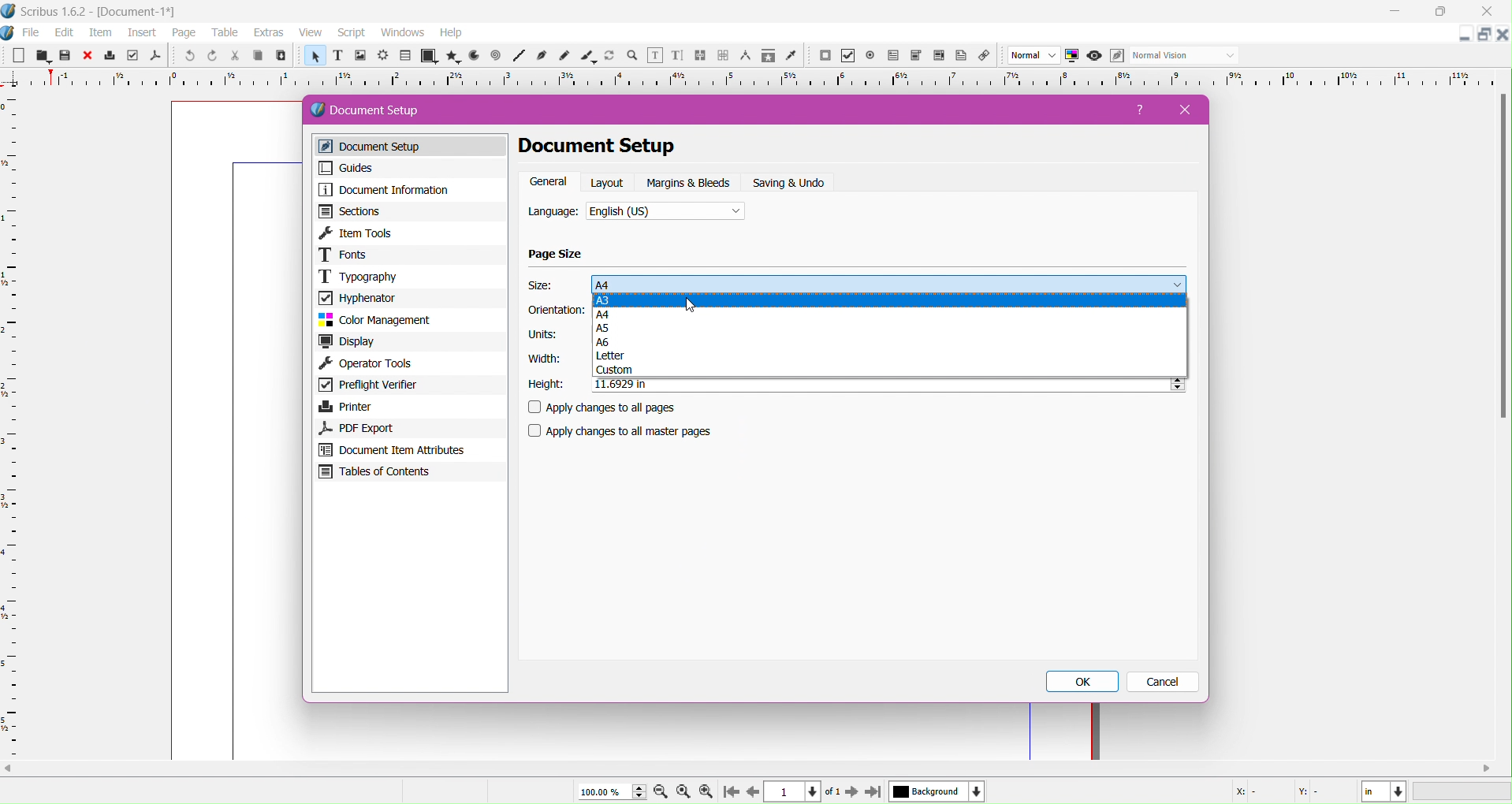  What do you see at coordinates (546, 385) in the screenshot?
I see `Height` at bounding box center [546, 385].